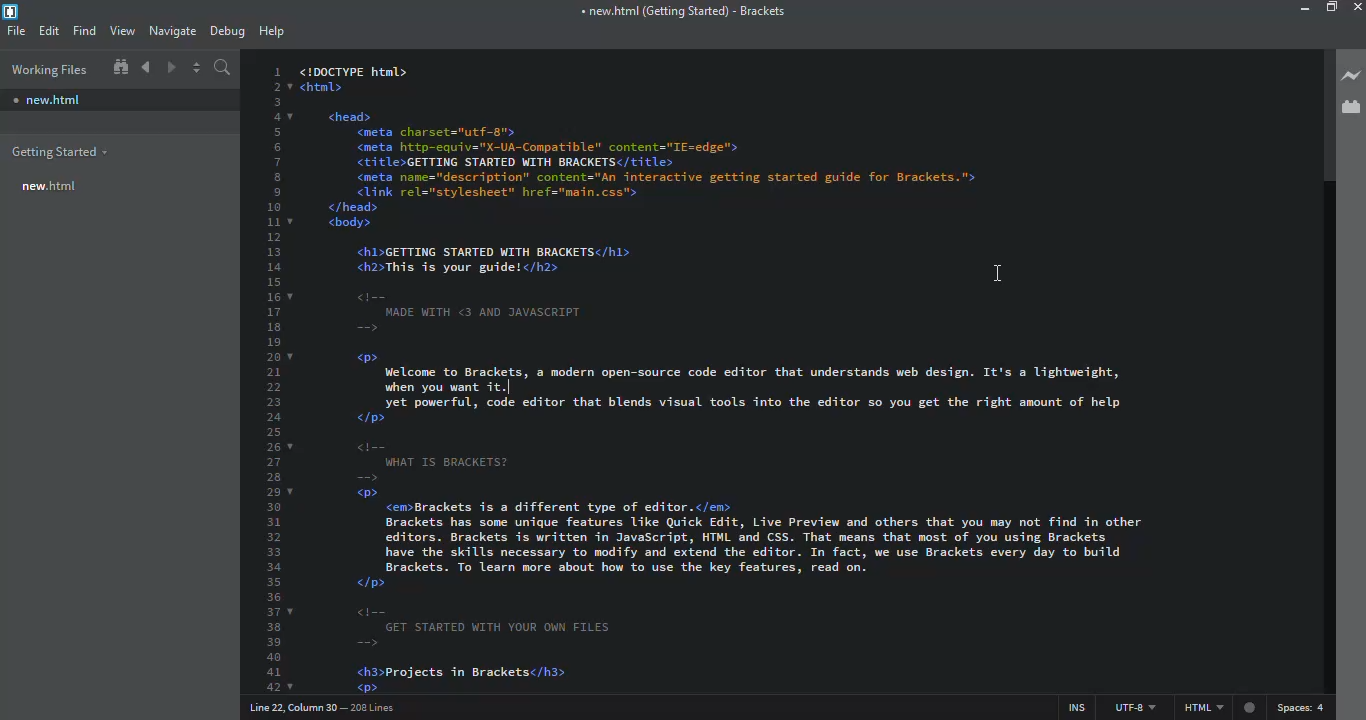  I want to click on live preview, so click(1352, 76).